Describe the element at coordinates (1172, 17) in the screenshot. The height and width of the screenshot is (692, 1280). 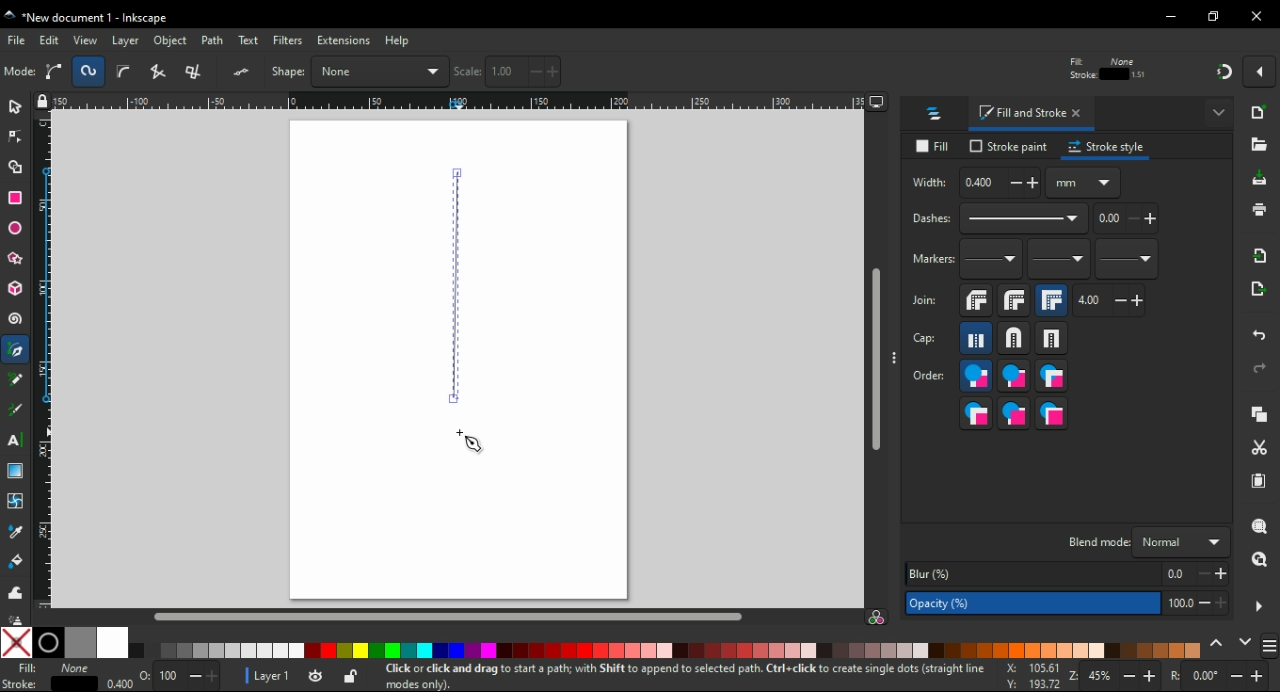
I see `minimize` at that location.